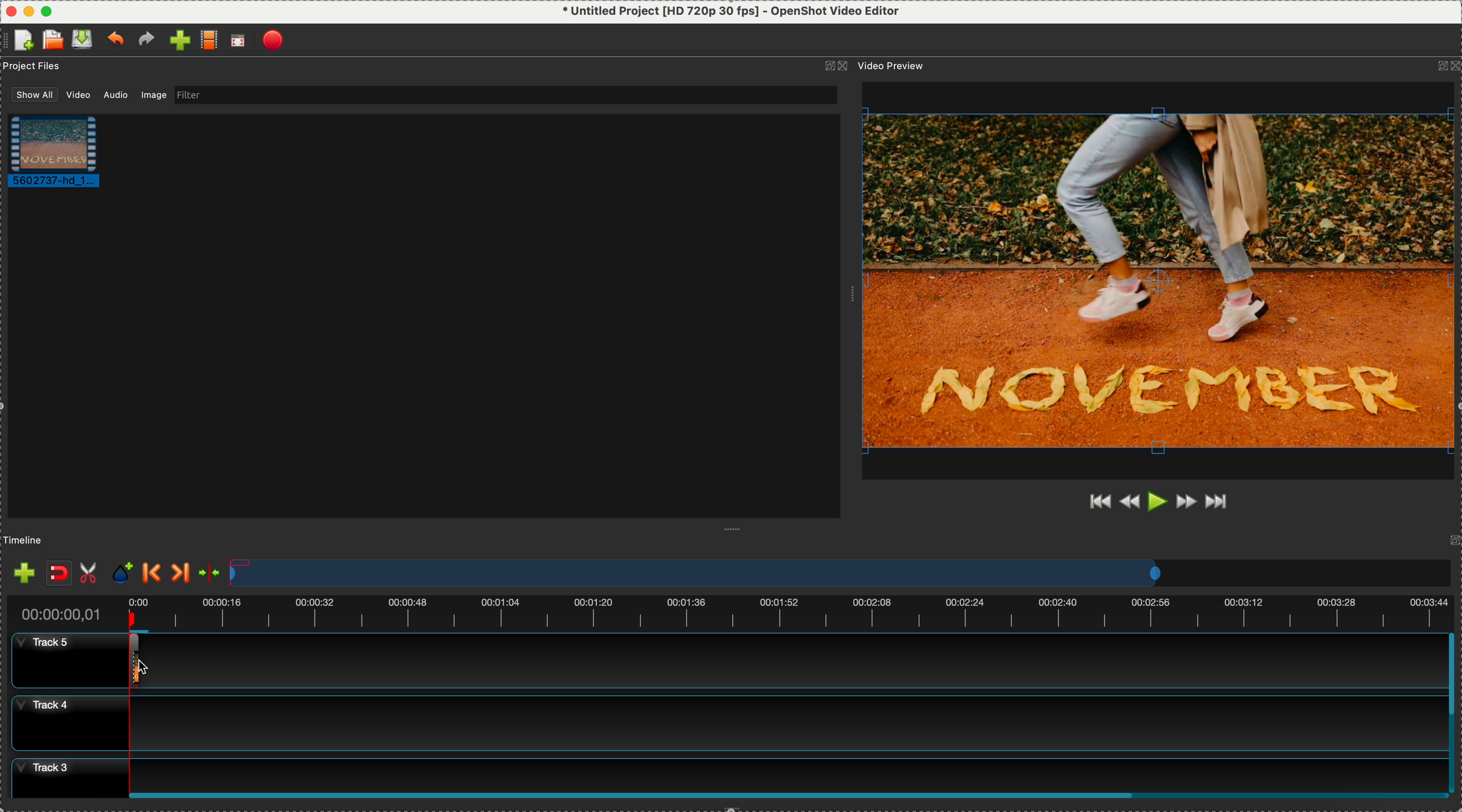  Describe the element at coordinates (9, 10) in the screenshot. I see `Close` at that location.